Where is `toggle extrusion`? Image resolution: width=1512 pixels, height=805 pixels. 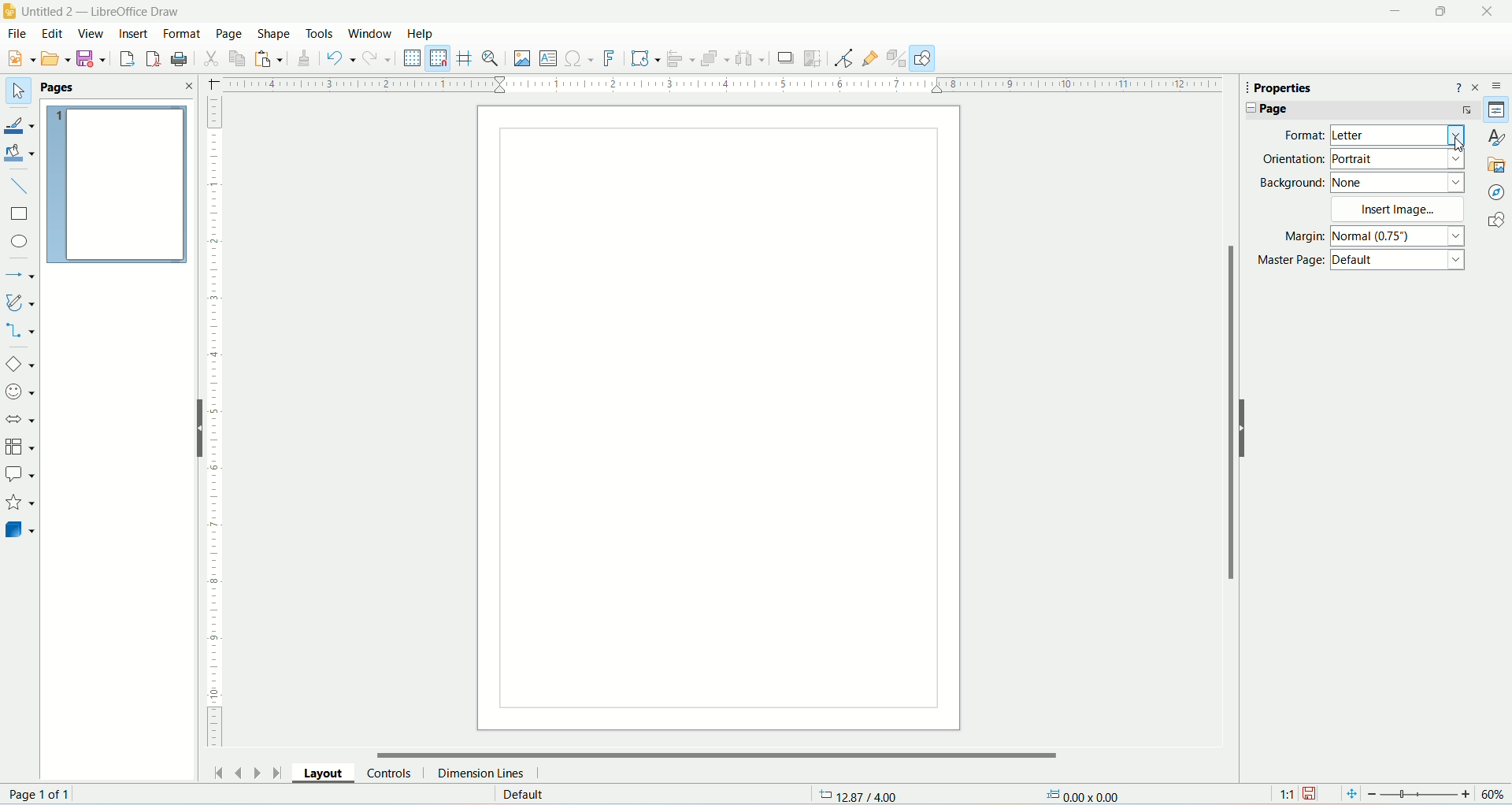 toggle extrusion is located at coordinates (897, 60).